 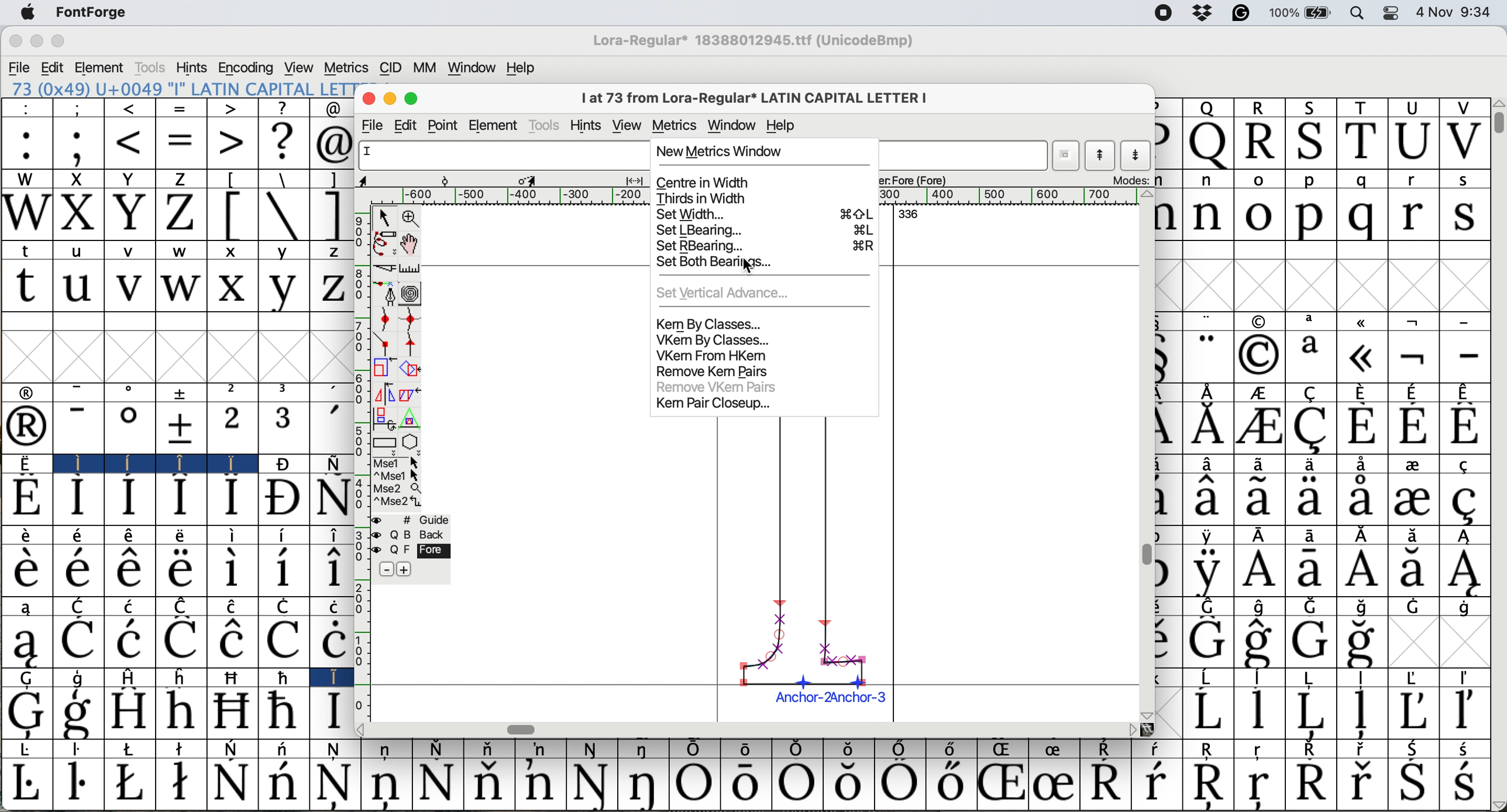 What do you see at coordinates (1258, 355) in the screenshot?
I see `Symbol` at bounding box center [1258, 355].